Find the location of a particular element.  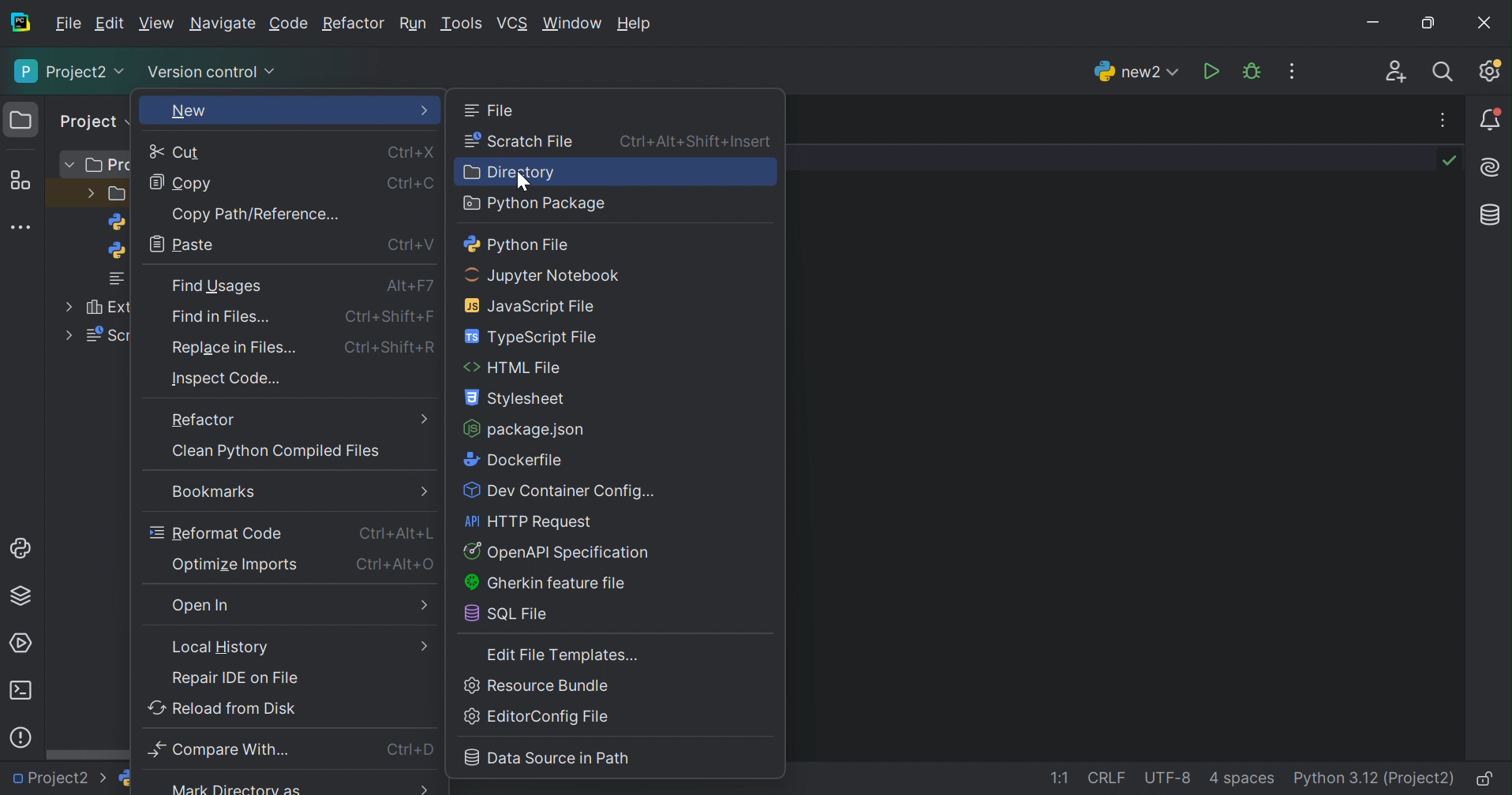

Run is located at coordinates (1210, 71).